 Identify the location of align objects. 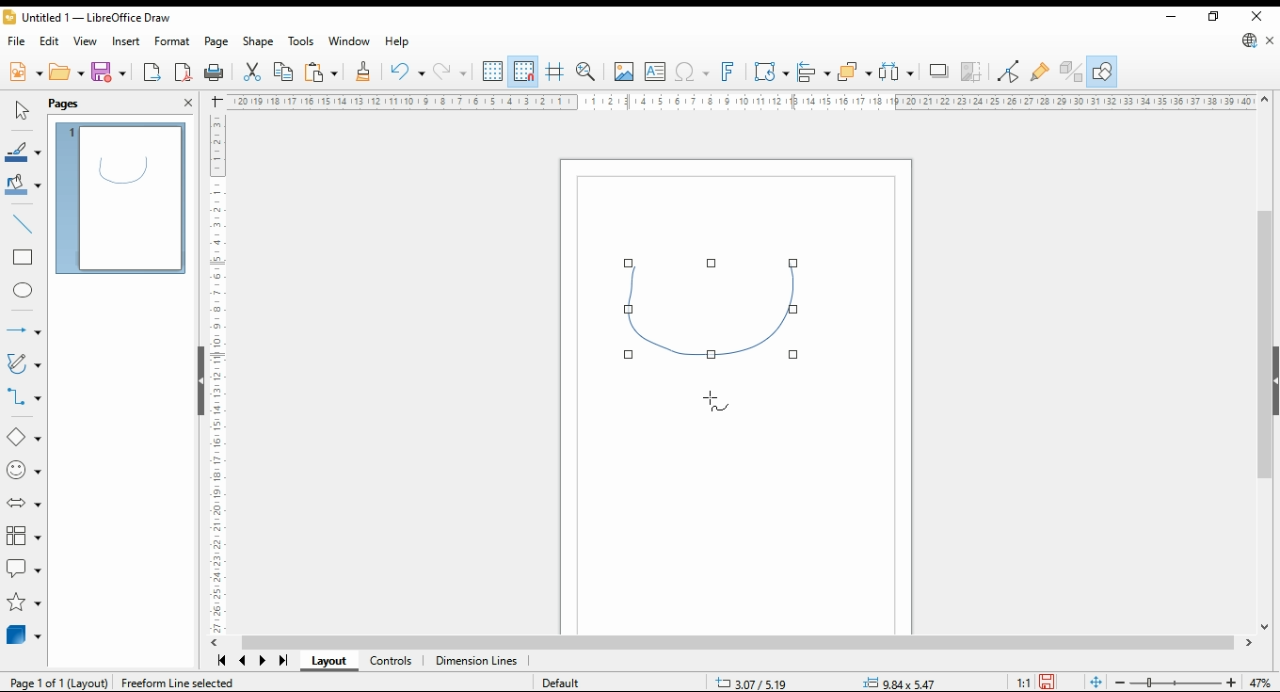
(814, 72).